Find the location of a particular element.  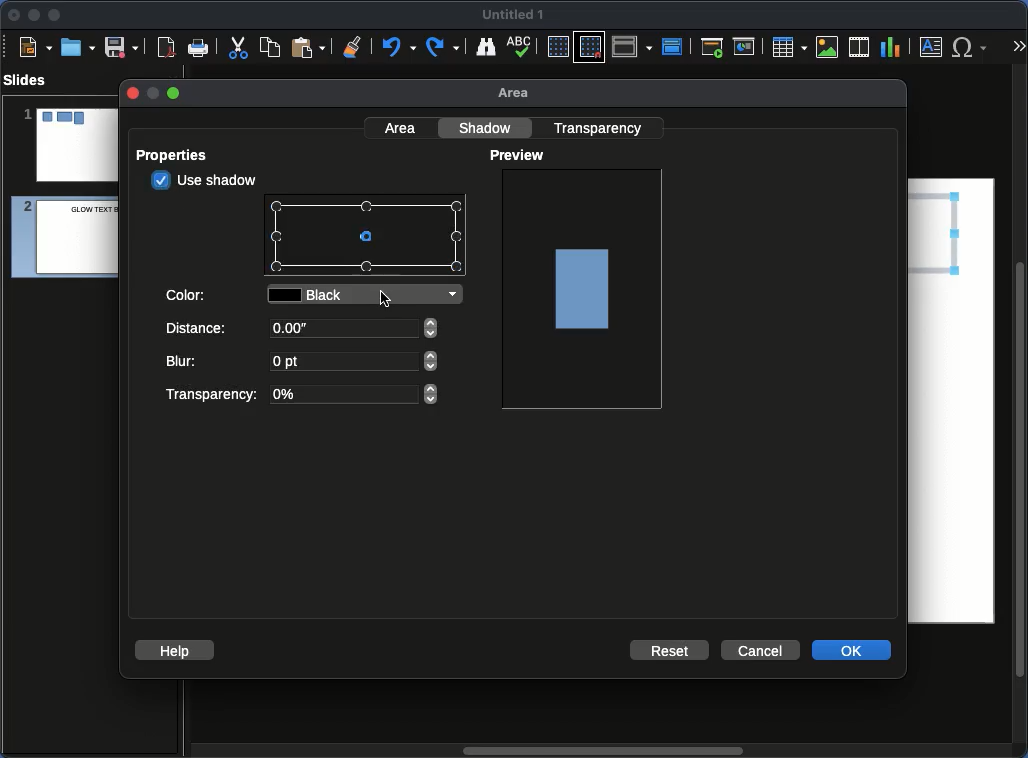

Redo is located at coordinates (444, 47).